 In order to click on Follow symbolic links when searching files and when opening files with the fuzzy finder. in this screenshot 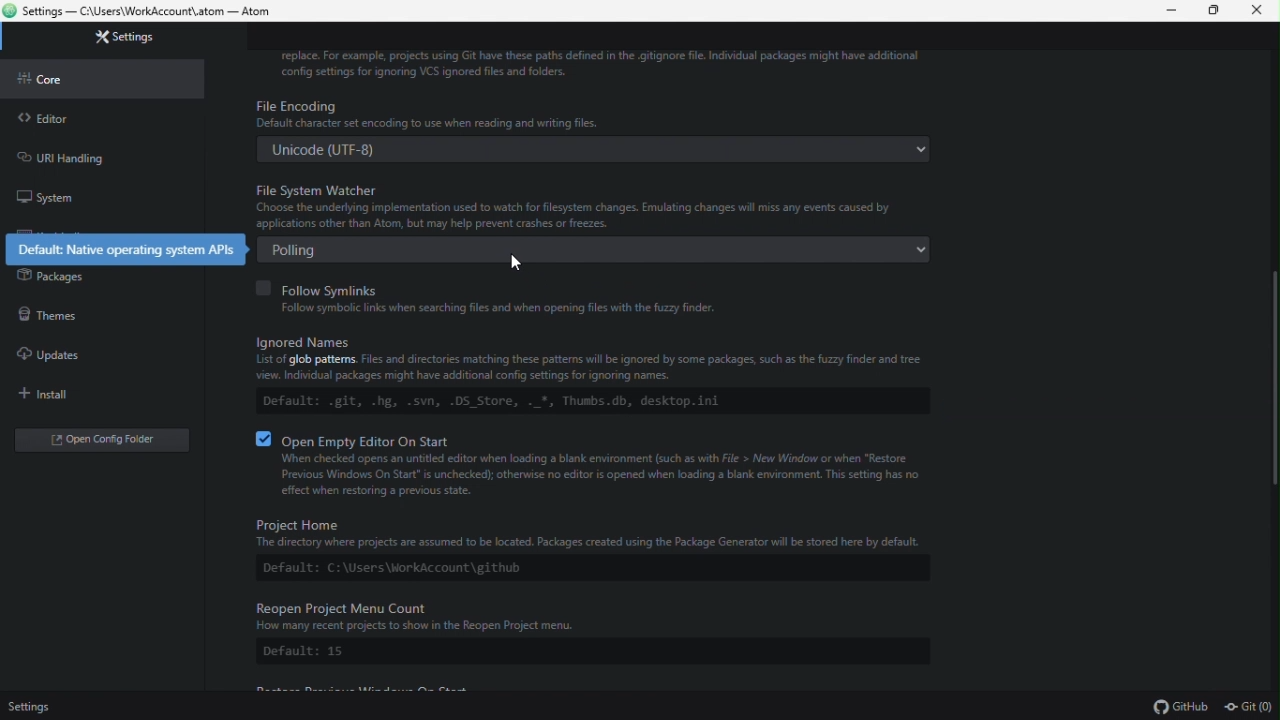, I will do `click(483, 309)`.